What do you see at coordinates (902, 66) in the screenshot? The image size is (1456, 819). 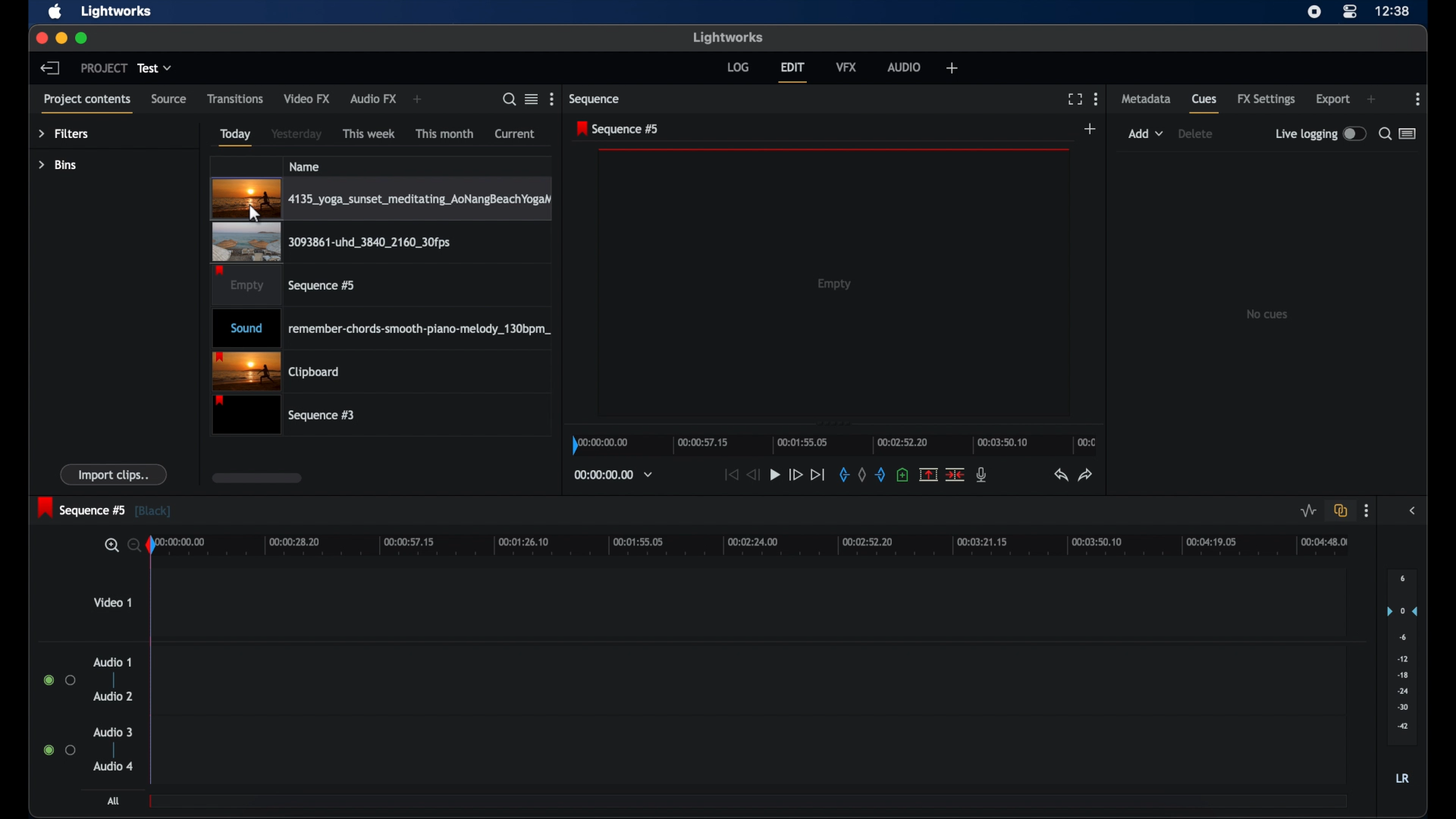 I see `audio` at bounding box center [902, 66].